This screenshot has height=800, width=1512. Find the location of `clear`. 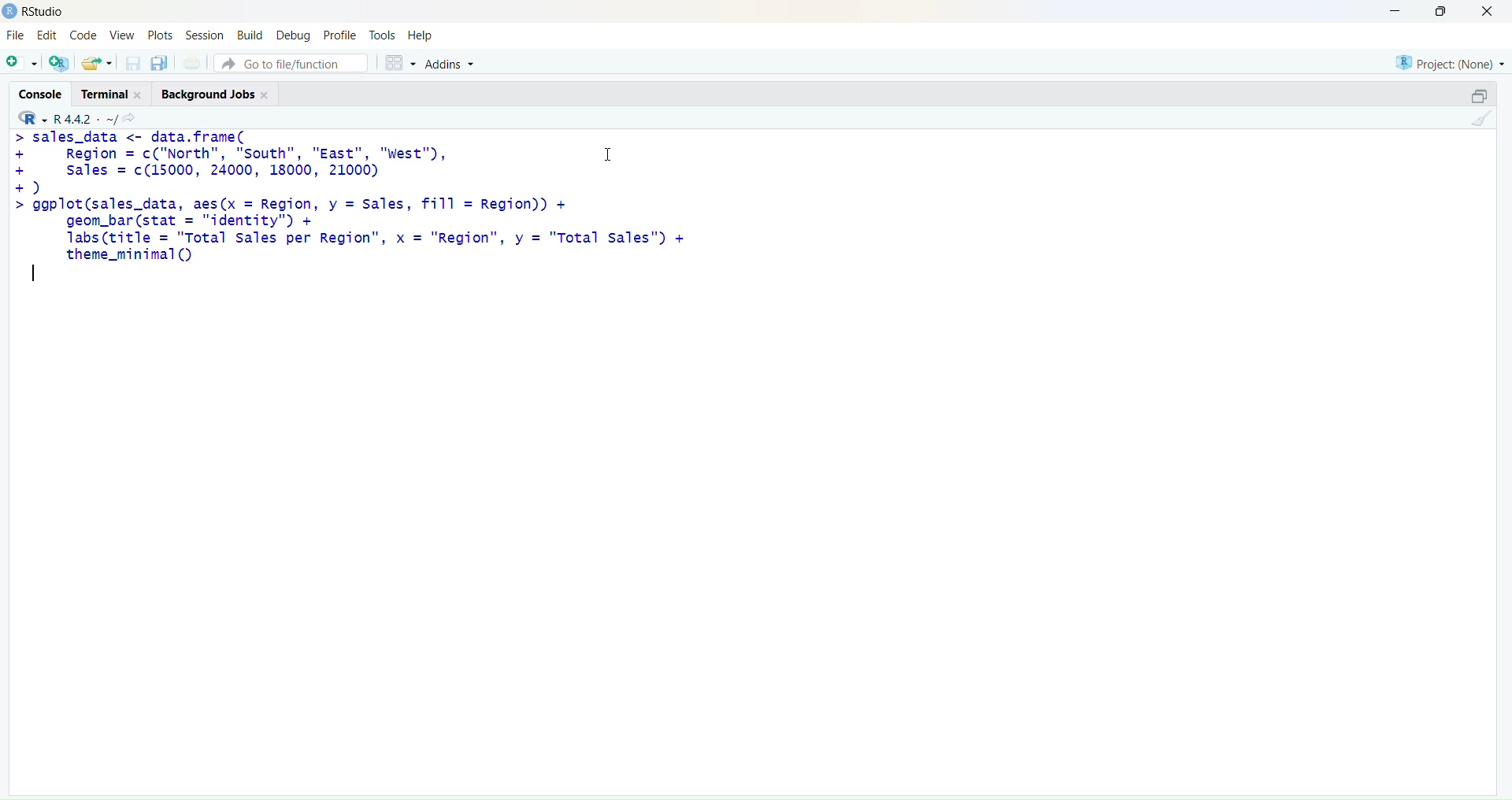

clear is located at coordinates (1485, 122).